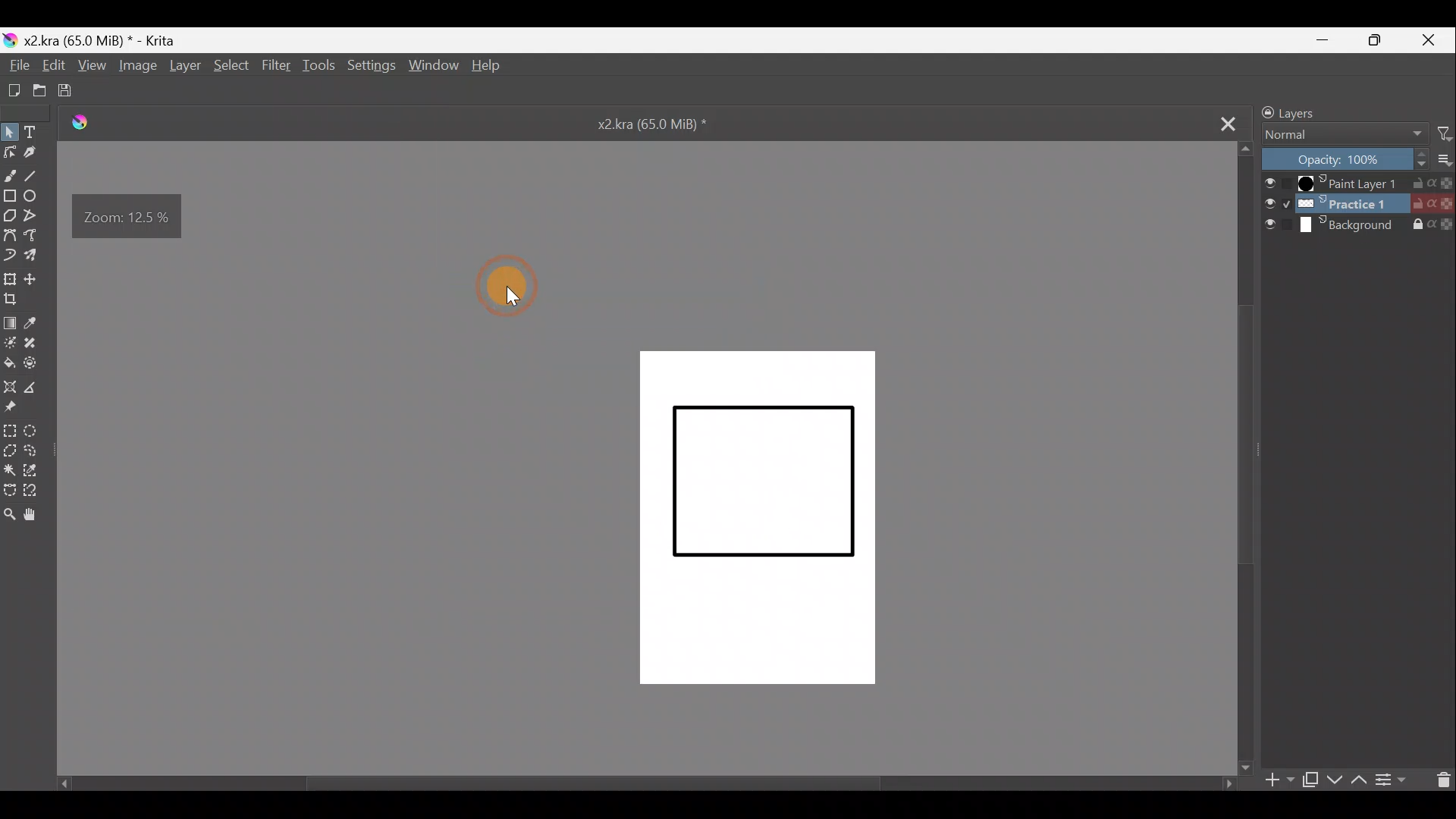 The width and height of the screenshot is (1456, 819). I want to click on Freehand path tool, so click(38, 235).